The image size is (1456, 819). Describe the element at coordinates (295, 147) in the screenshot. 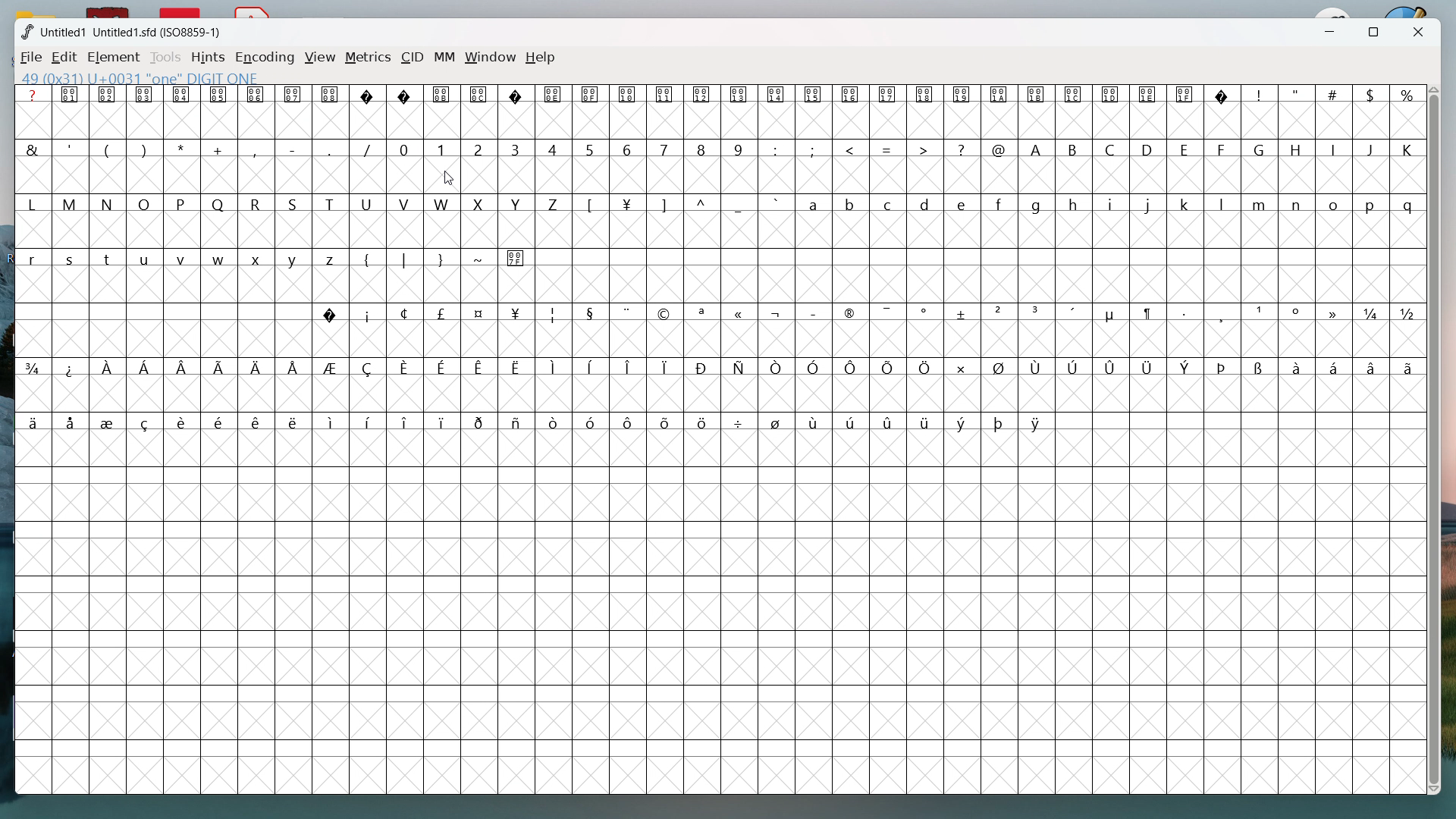

I see `-` at that location.